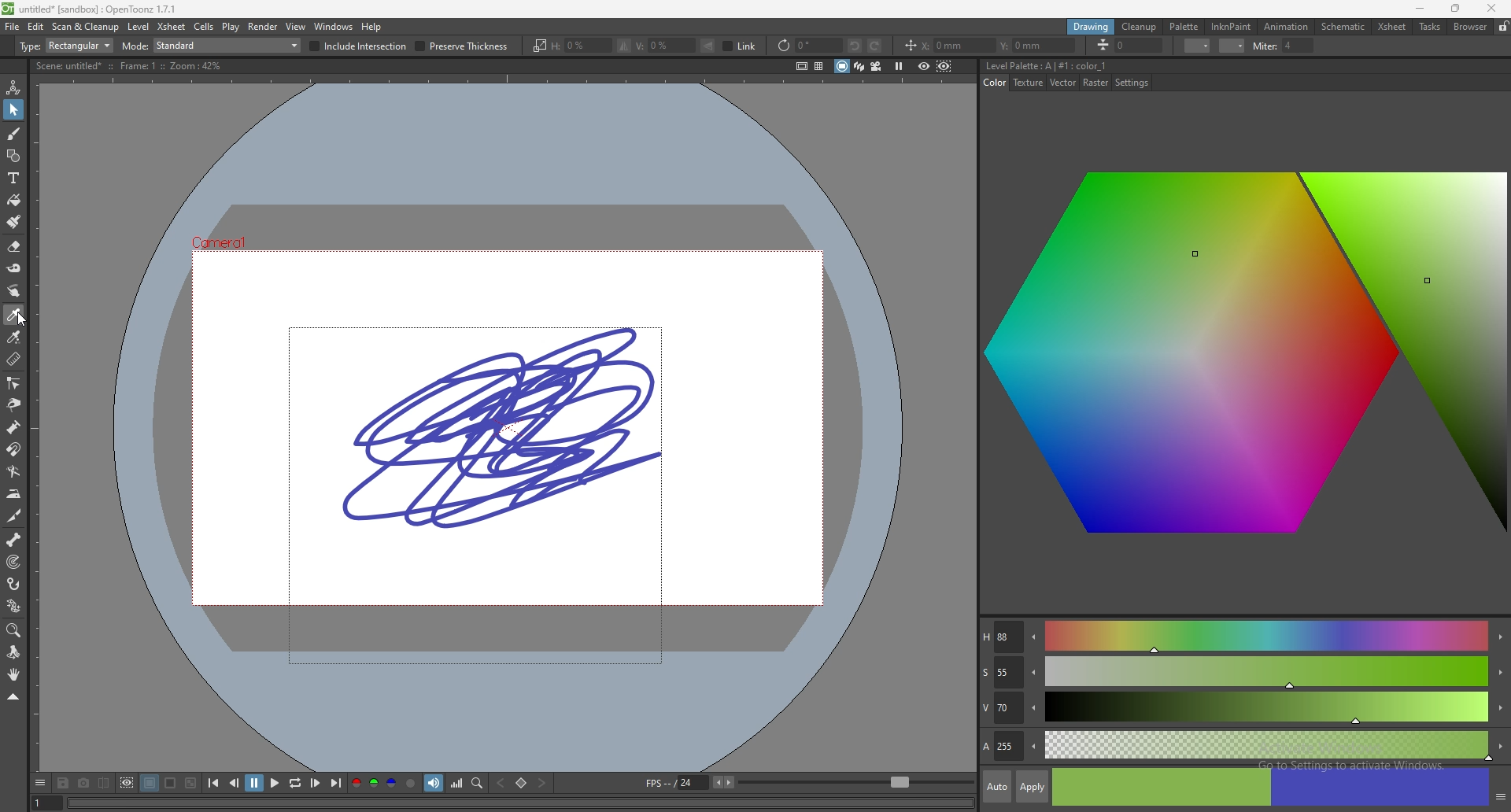  What do you see at coordinates (254, 783) in the screenshot?
I see `pause` at bounding box center [254, 783].